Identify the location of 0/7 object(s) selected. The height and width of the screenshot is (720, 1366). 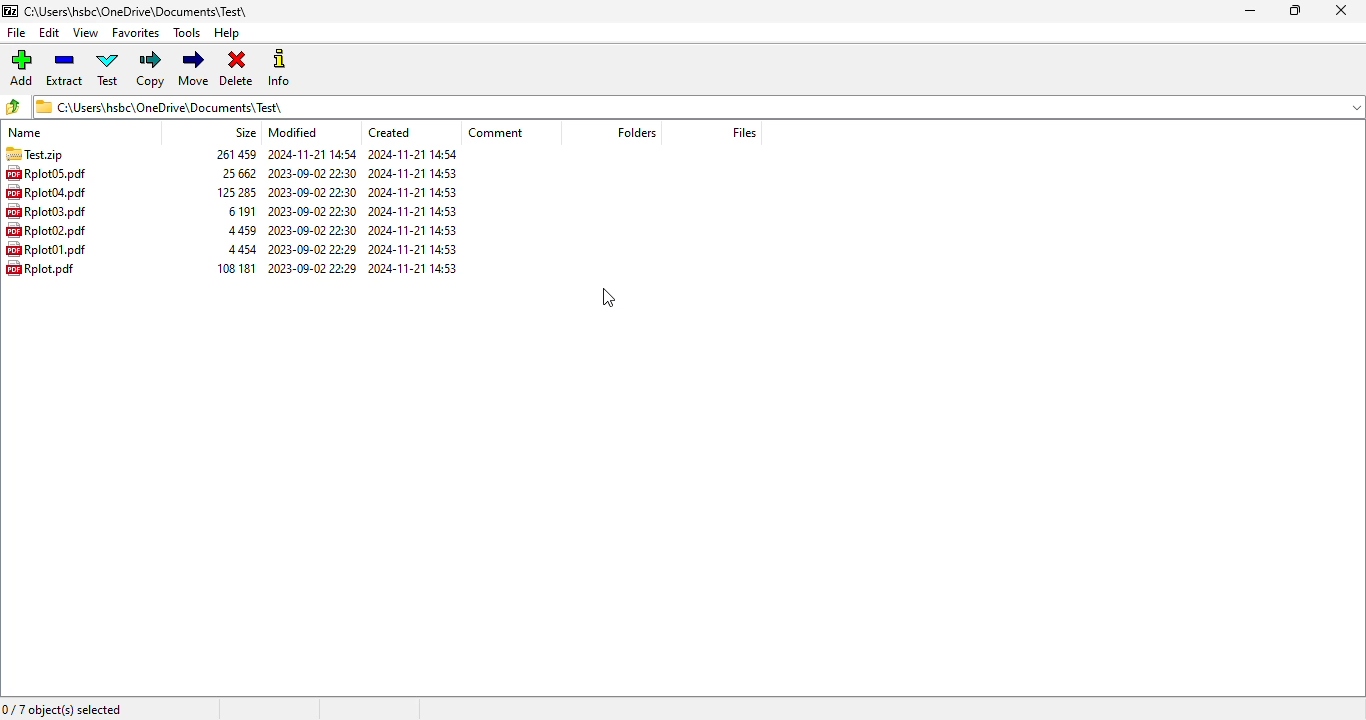
(64, 710).